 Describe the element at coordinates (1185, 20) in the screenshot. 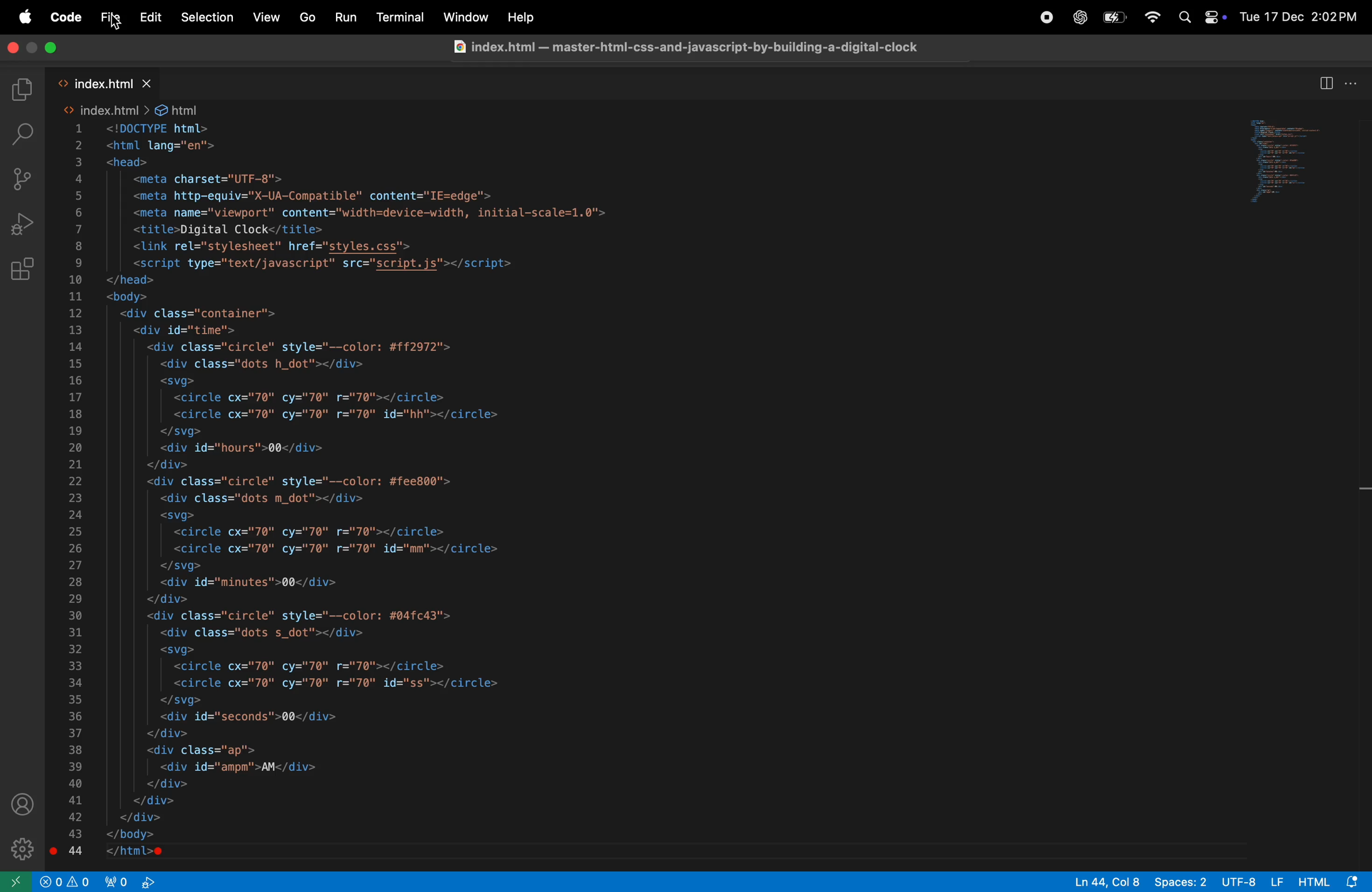

I see `search` at that location.